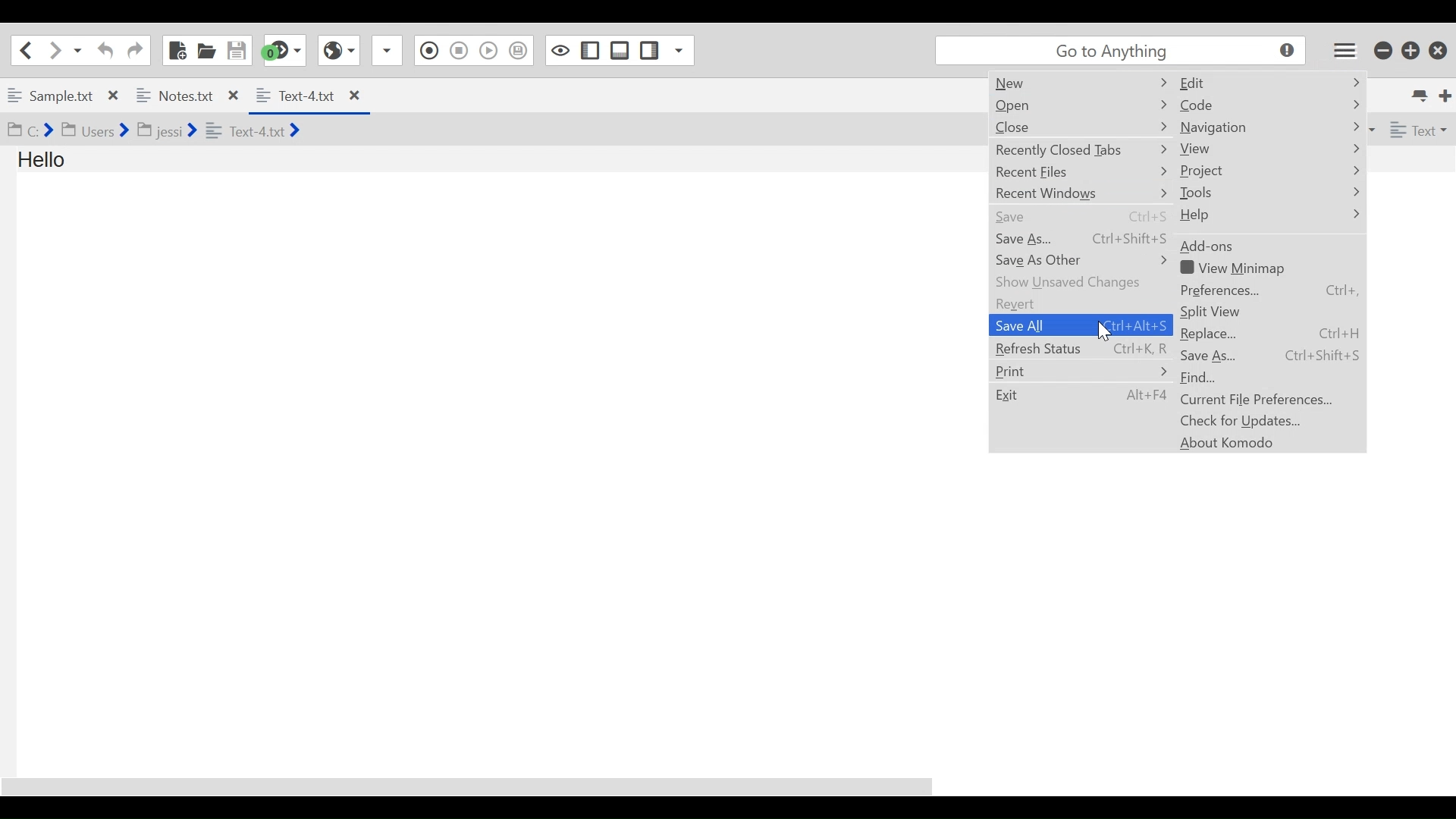 Image resolution: width=1456 pixels, height=819 pixels. I want to click on Open tab, so click(124, 97).